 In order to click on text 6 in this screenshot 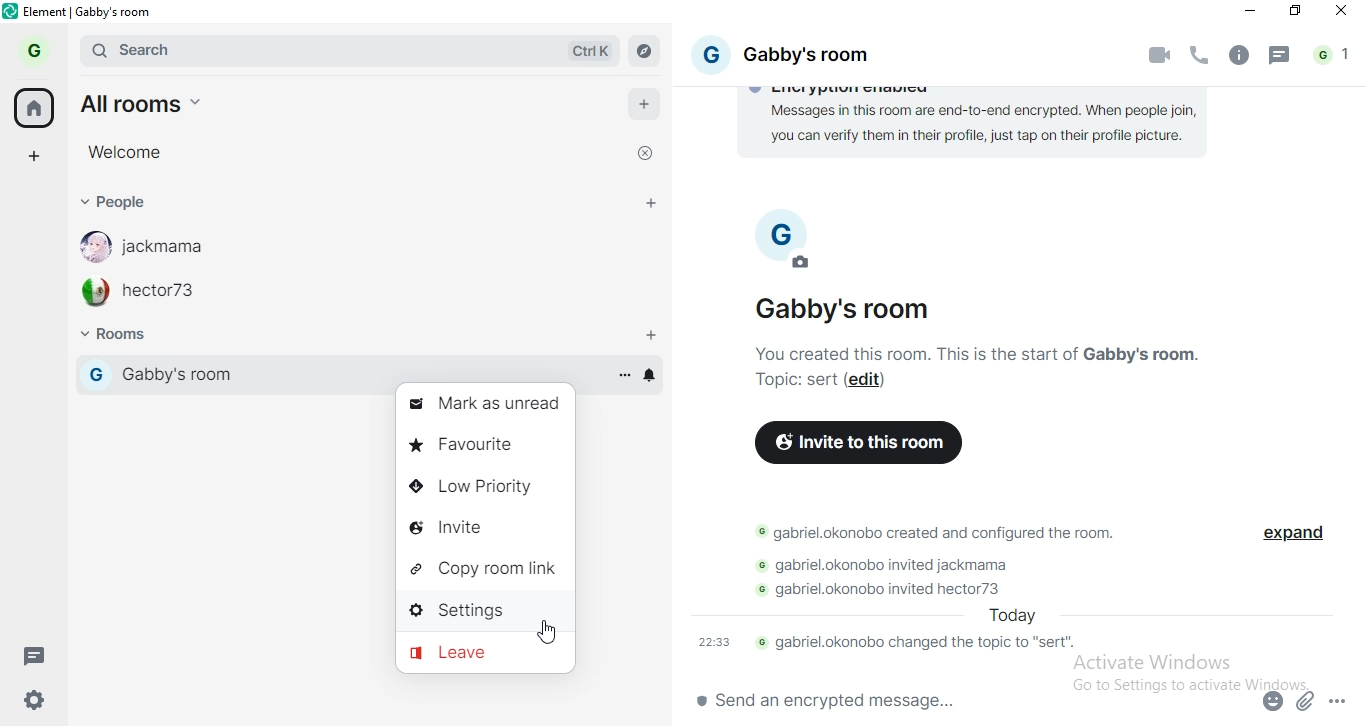, I will do `click(891, 644)`.